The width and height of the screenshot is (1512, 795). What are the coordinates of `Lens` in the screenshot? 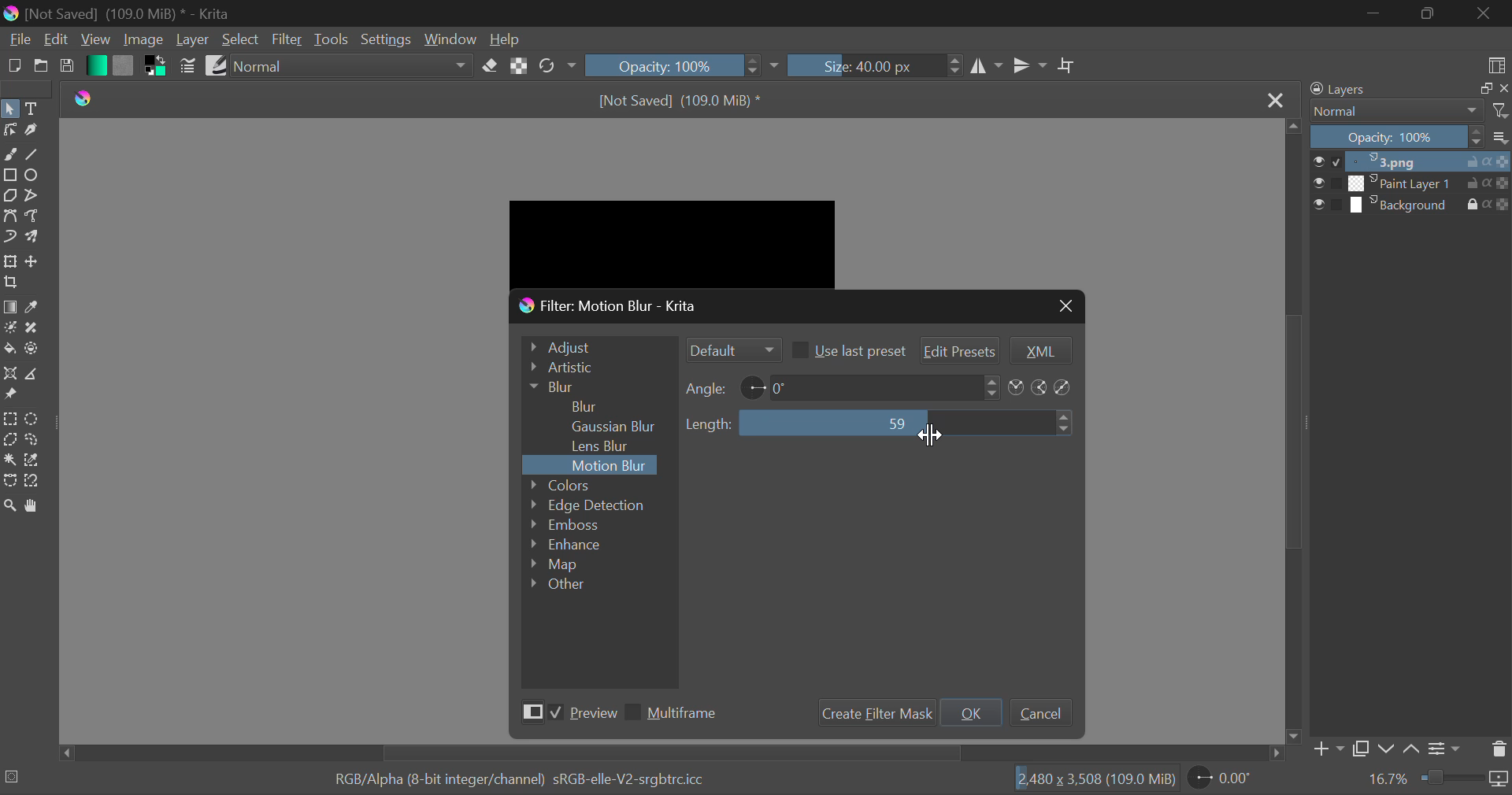 It's located at (606, 446).